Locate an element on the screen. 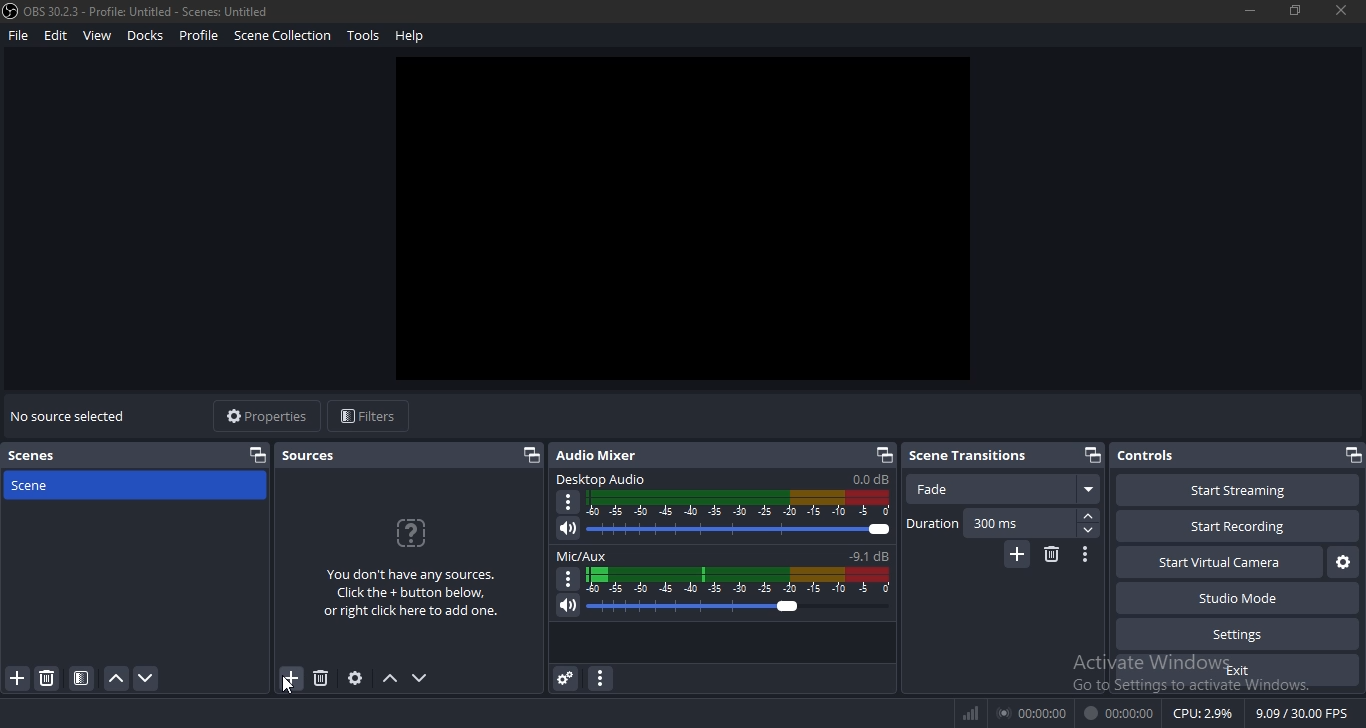 This screenshot has width=1366, height=728. text is located at coordinates (416, 569).